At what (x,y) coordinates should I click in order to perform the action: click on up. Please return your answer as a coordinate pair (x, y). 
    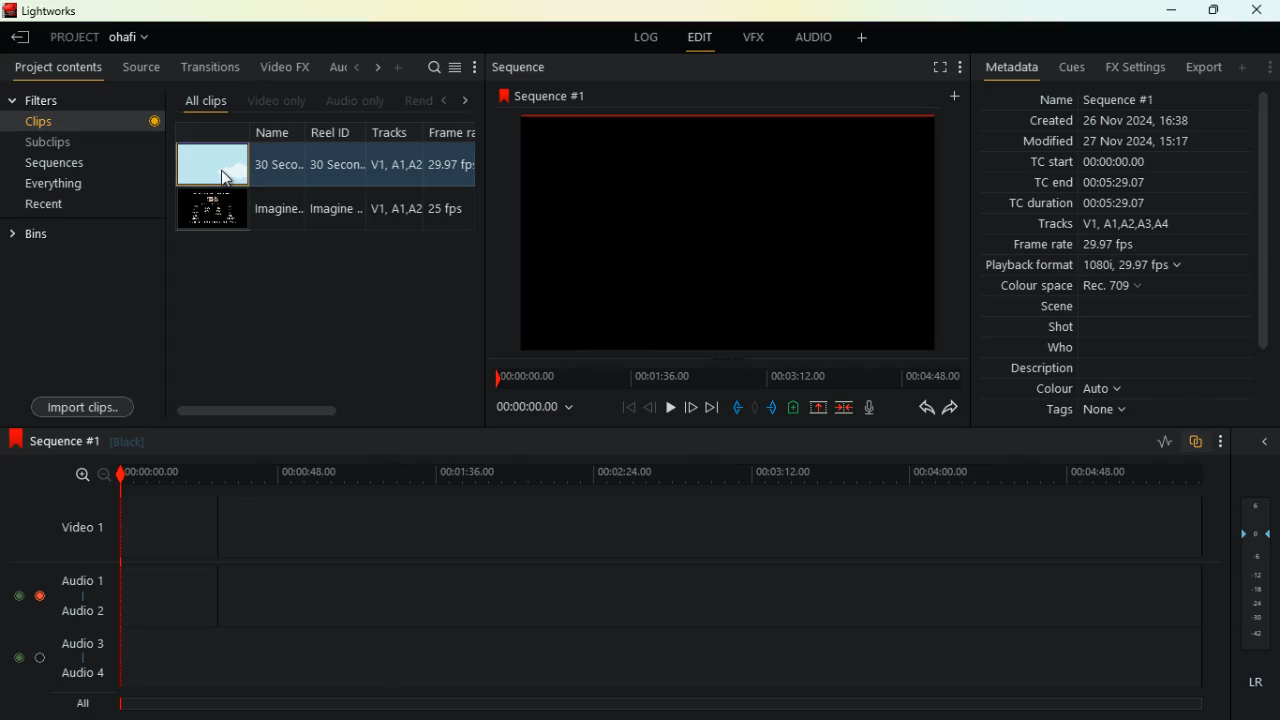
    Looking at the image, I should click on (818, 408).